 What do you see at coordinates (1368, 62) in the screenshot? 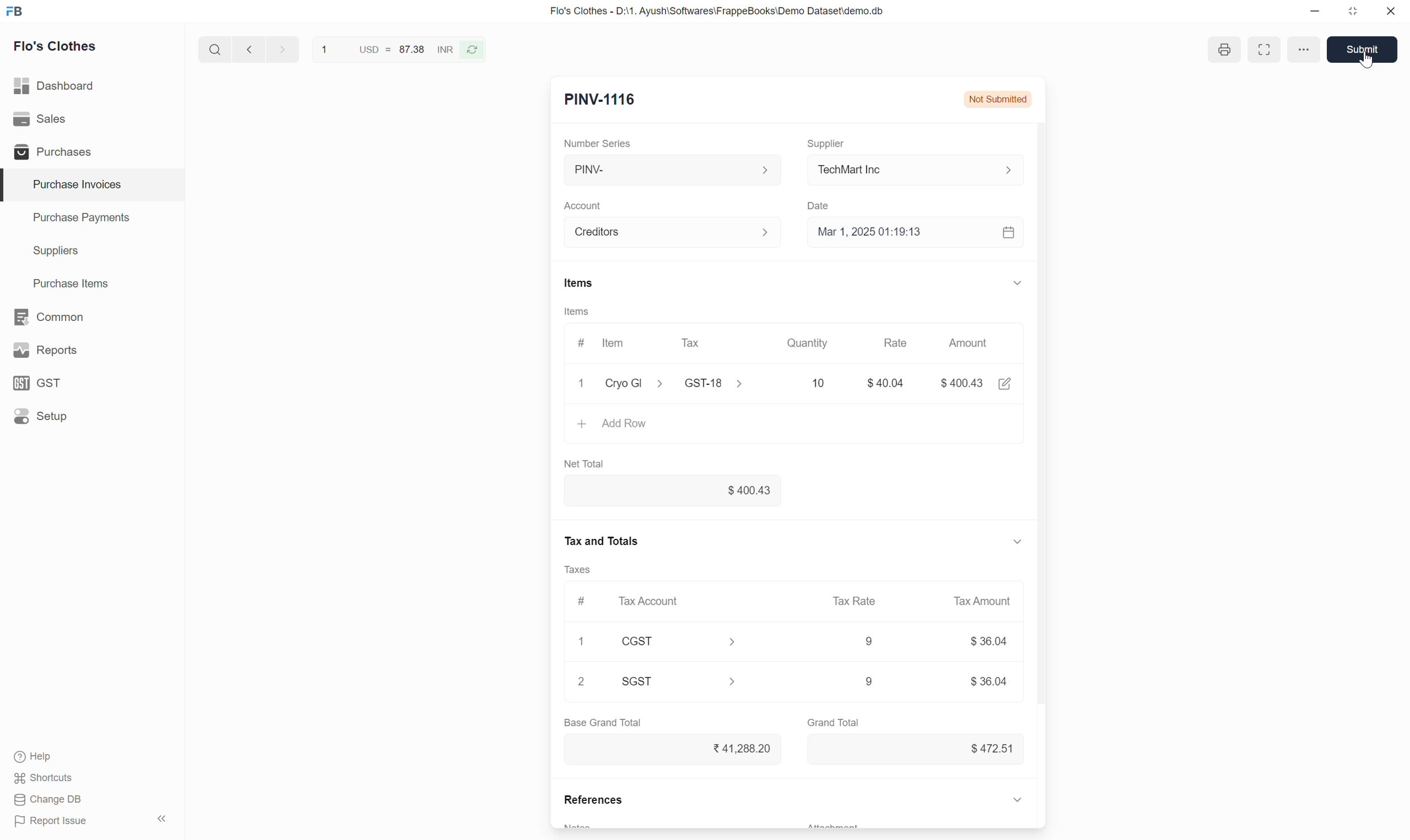
I see `cursor` at bounding box center [1368, 62].